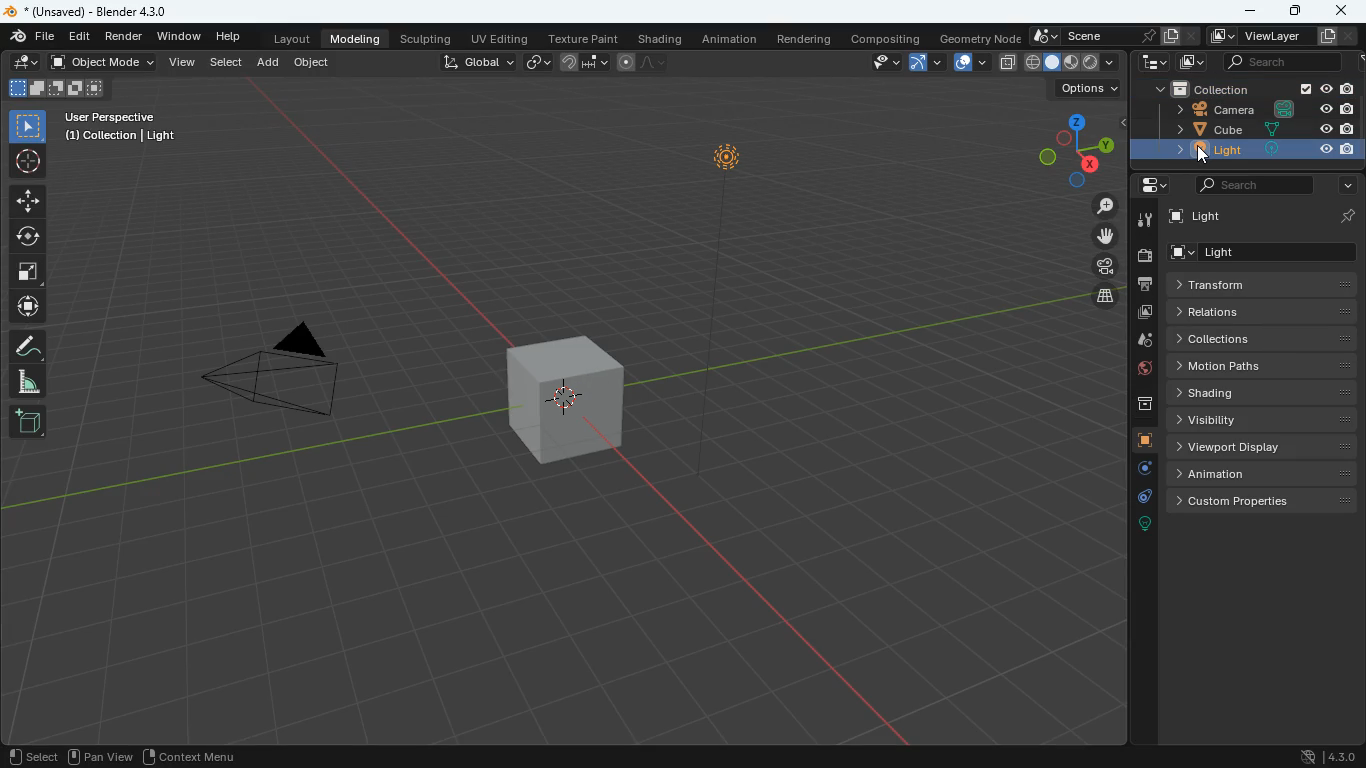 The width and height of the screenshot is (1366, 768). What do you see at coordinates (729, 40) in the screenshot?
I see `animation` at bounding box center [729, 40].